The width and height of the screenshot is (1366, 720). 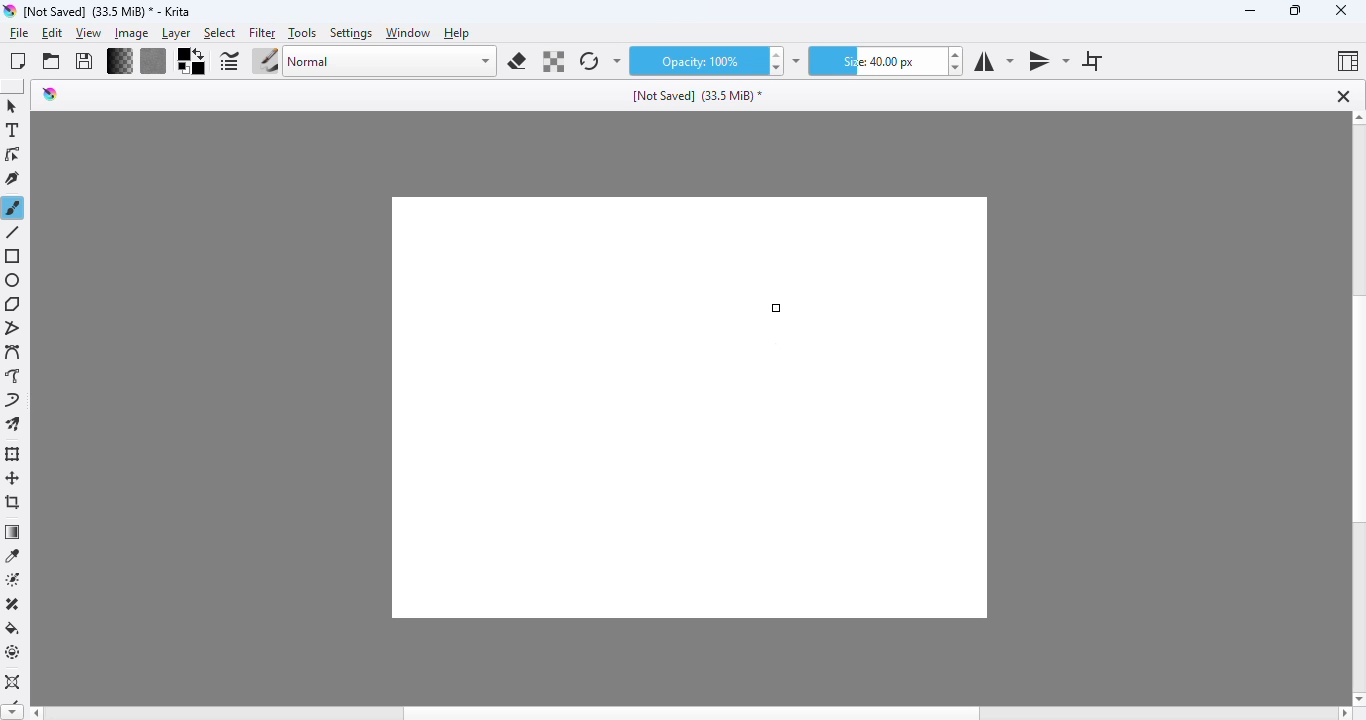 I want to click on crop the image to an area, so click(x=13, y=502).